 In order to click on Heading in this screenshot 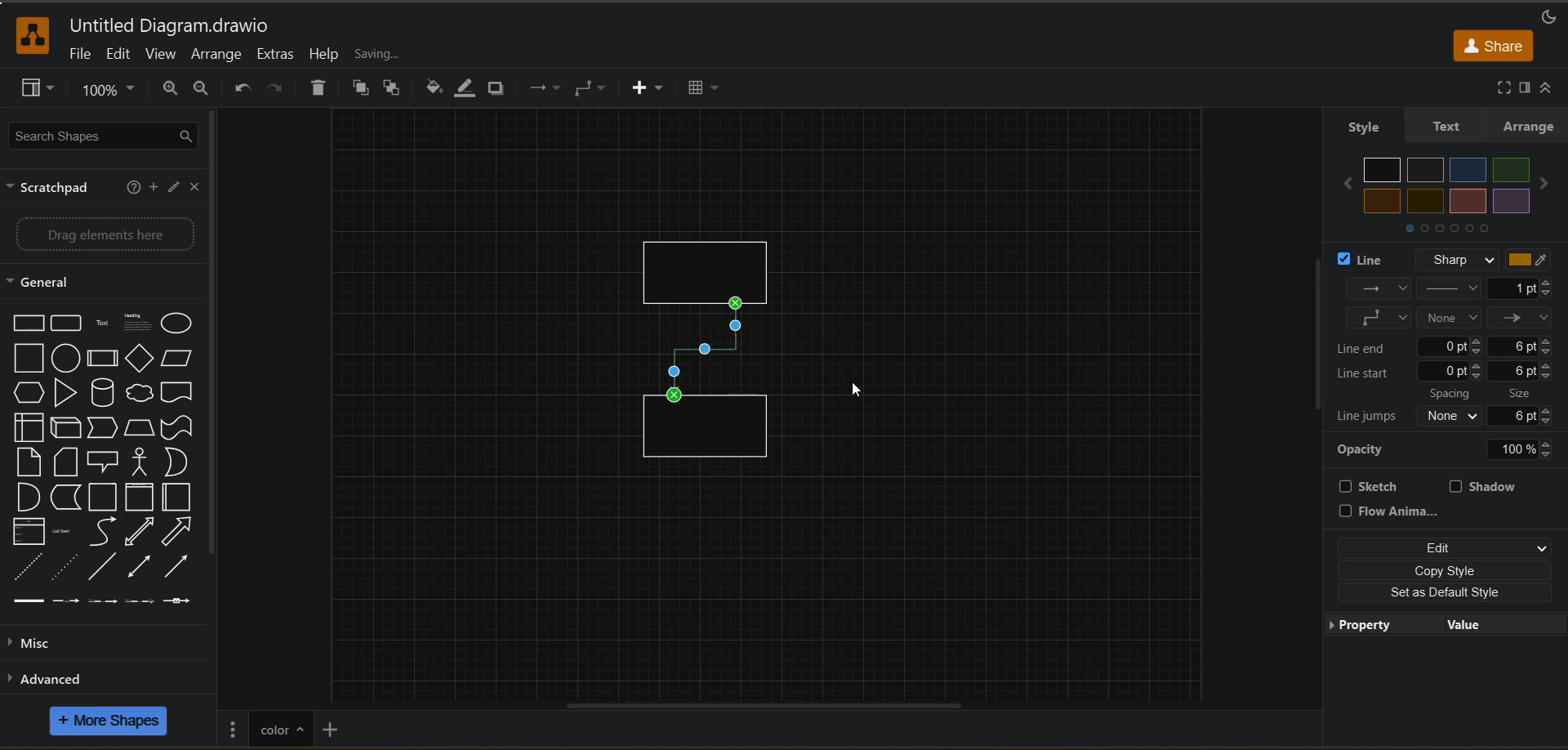, I will do `click(139, 323)`.